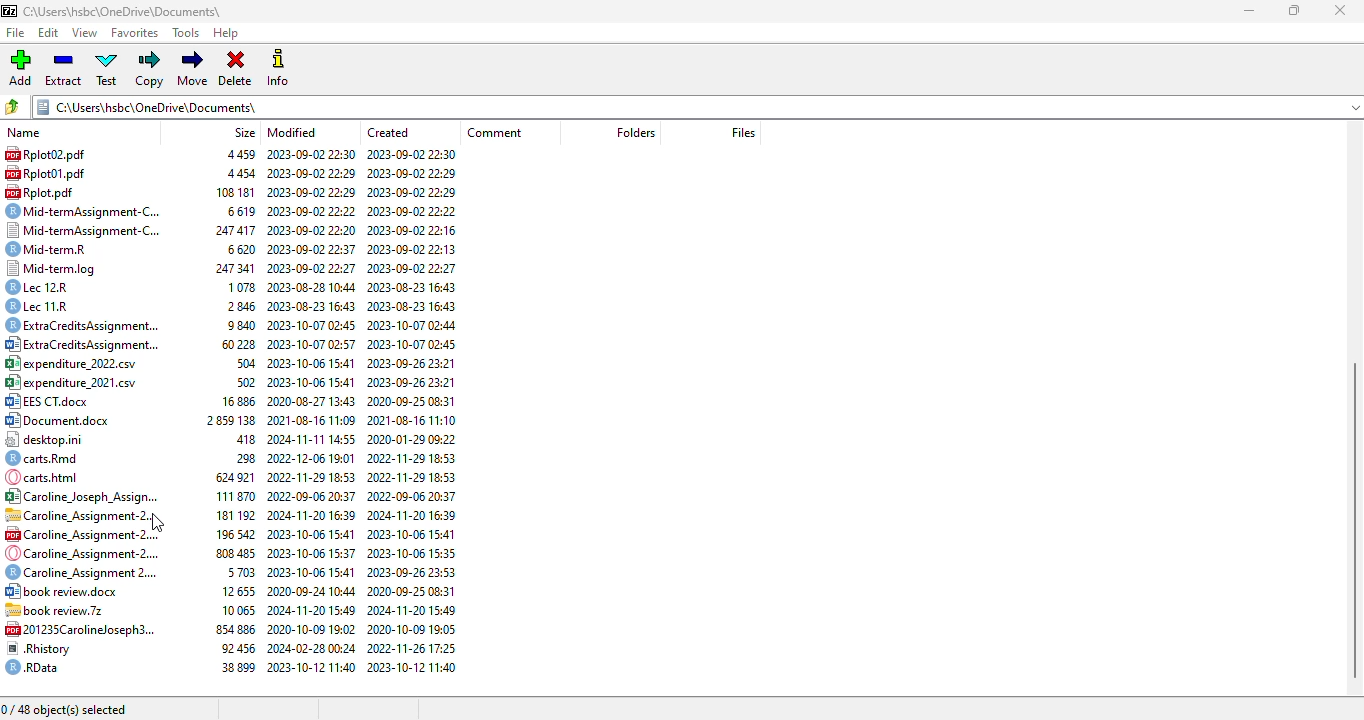  What do you see at coordinates (1355, 520) in the screenshot?
I see `vertical scroll bar` at bounding box center [1355, 520].